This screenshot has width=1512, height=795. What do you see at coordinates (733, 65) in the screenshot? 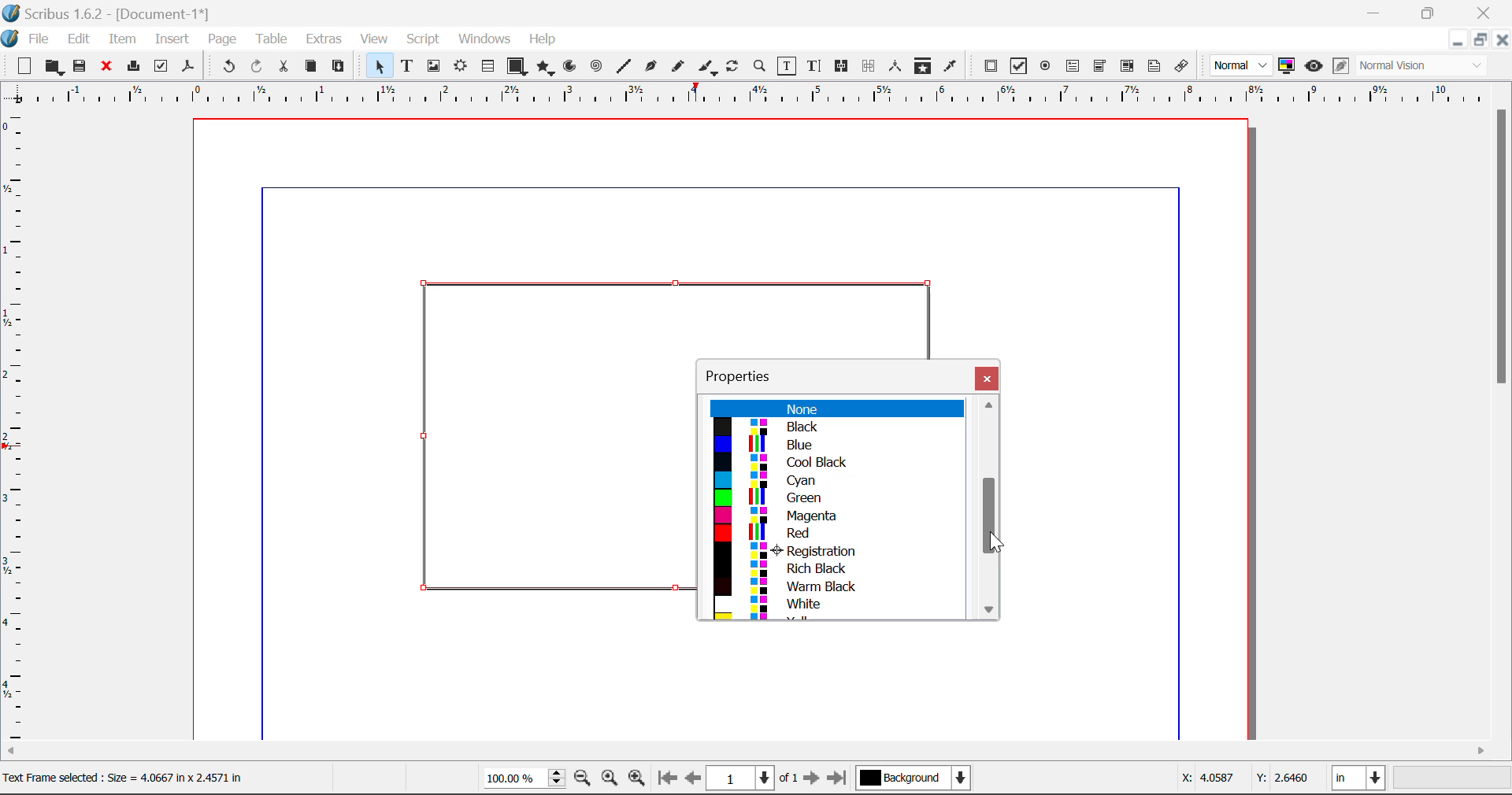
I see `Rotate` at bounding box center [733, 65].